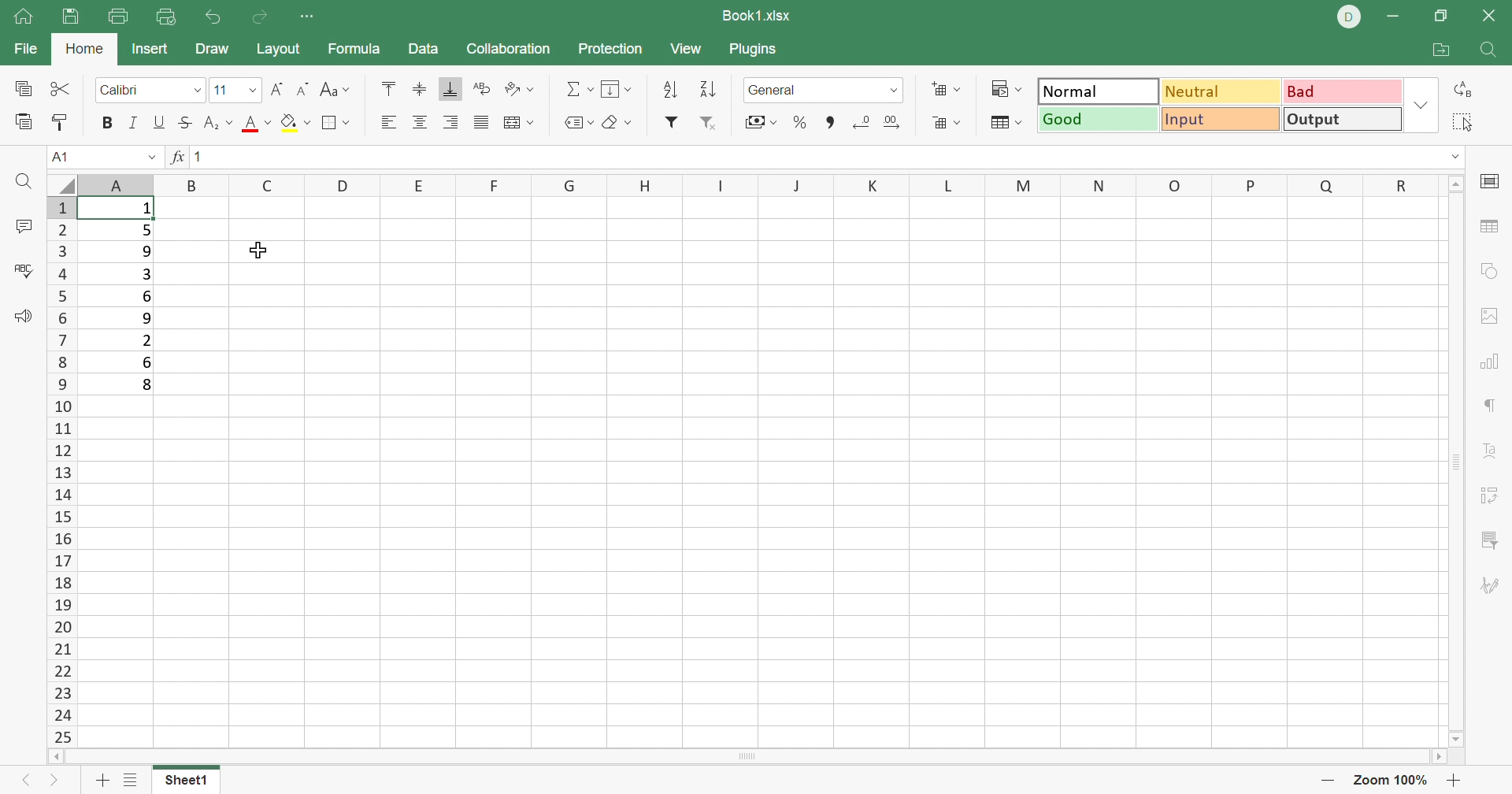 The height and width of the screenshot is (794, 1512). What do you see at coordinates (1486, 451) in the screenshot?
I see `Text  Art settings` at bounding box center [1486, 451].